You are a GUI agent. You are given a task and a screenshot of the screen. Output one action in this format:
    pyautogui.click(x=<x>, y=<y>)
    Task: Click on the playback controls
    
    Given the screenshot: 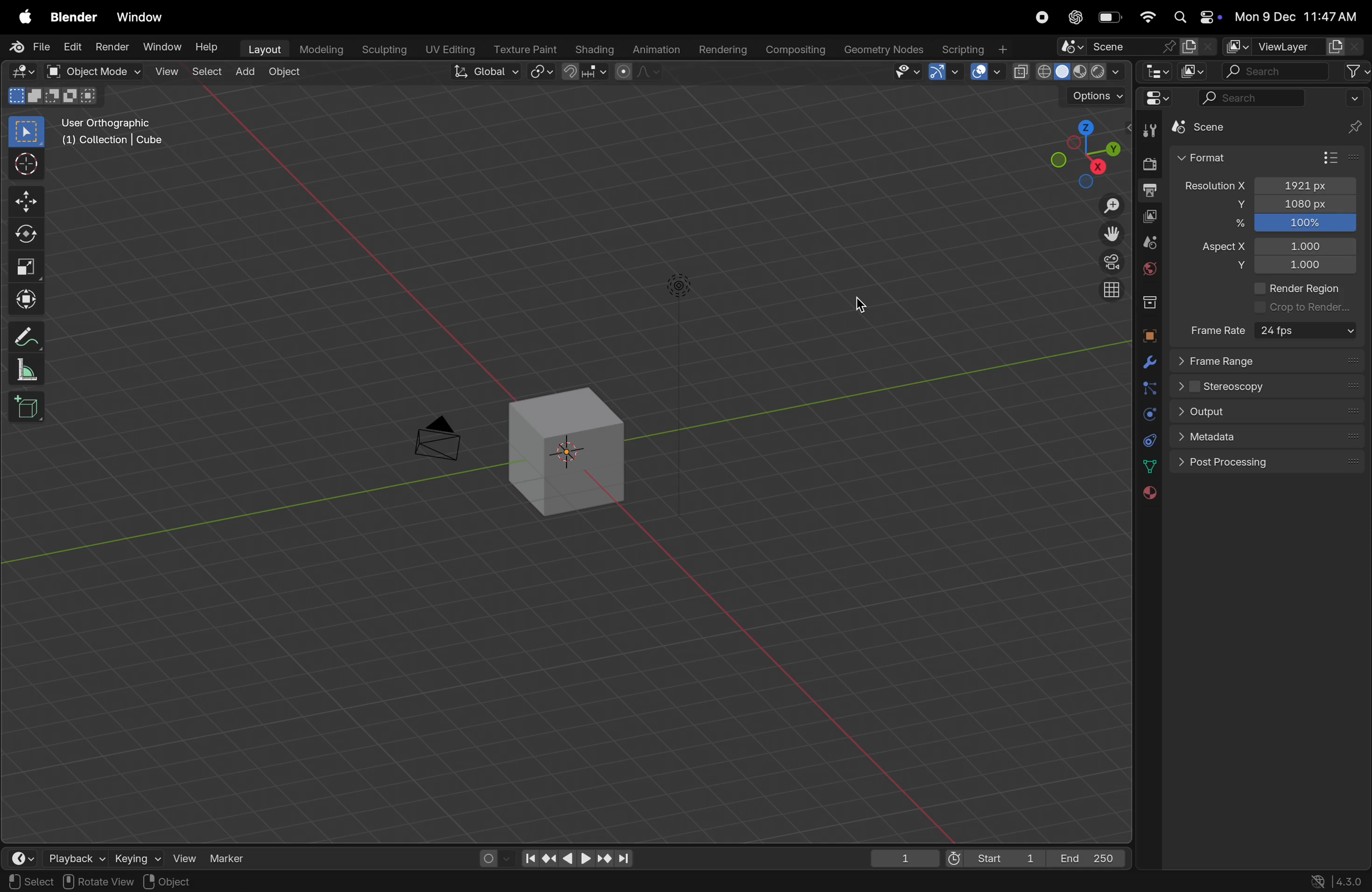 What is the action you would take?
    pyautogui.click(x=578, y=858)
    